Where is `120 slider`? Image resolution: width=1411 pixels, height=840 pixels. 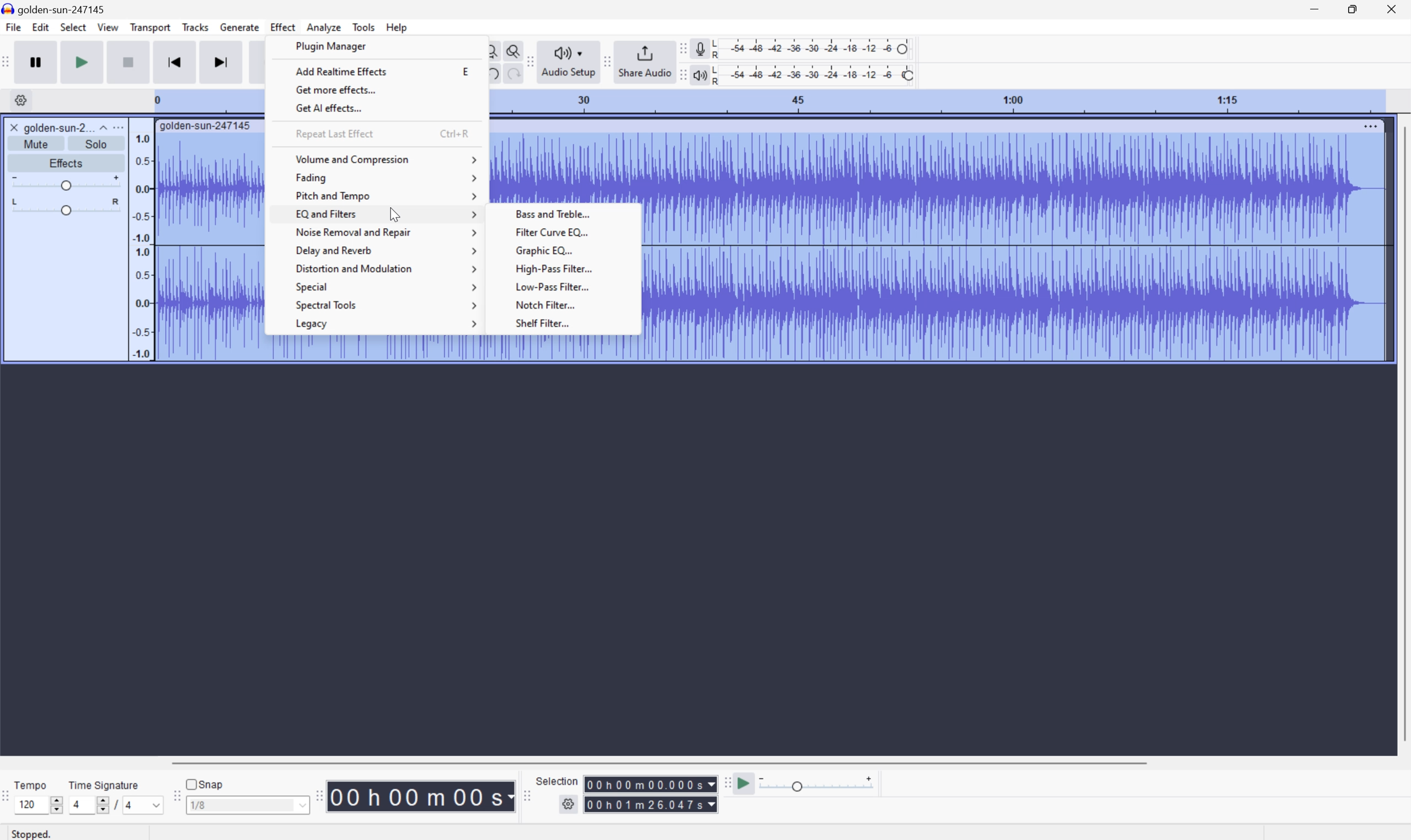 120 slider is located at coordinates (41, 804).